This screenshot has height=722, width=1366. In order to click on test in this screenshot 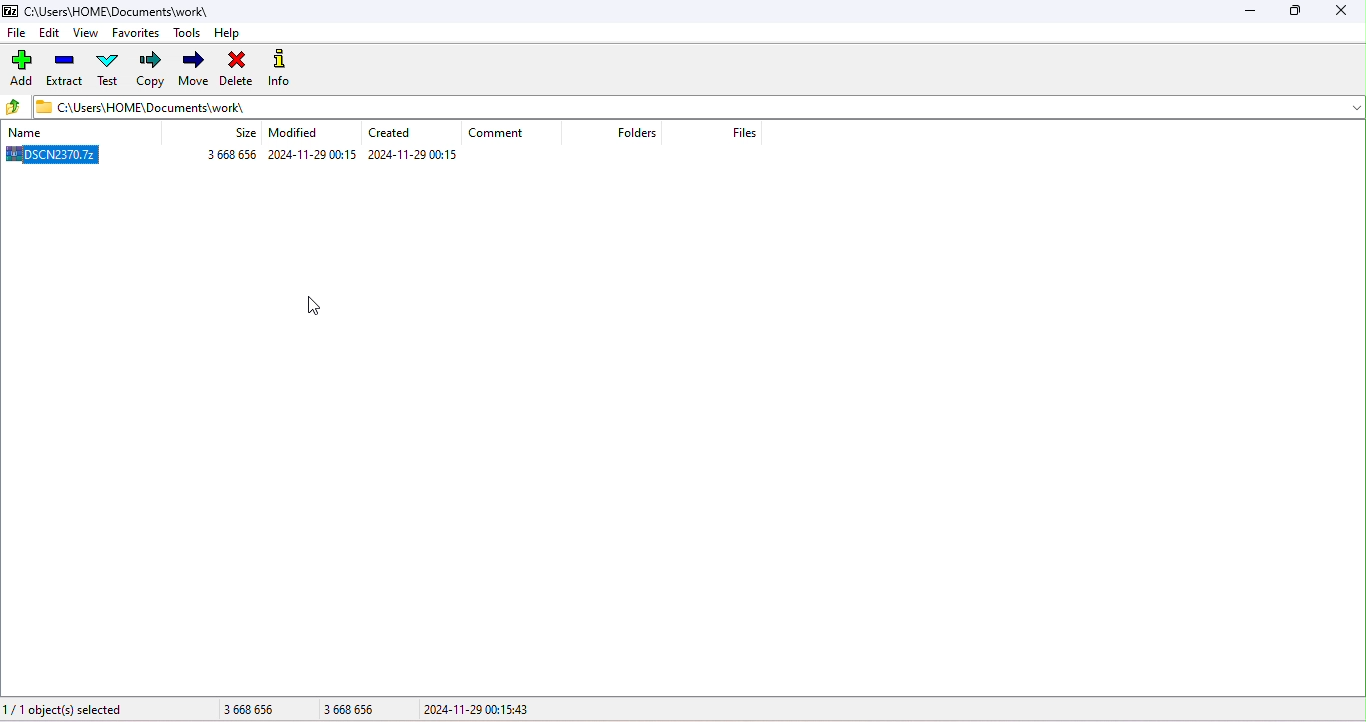, I will do `click(108, 71)`.